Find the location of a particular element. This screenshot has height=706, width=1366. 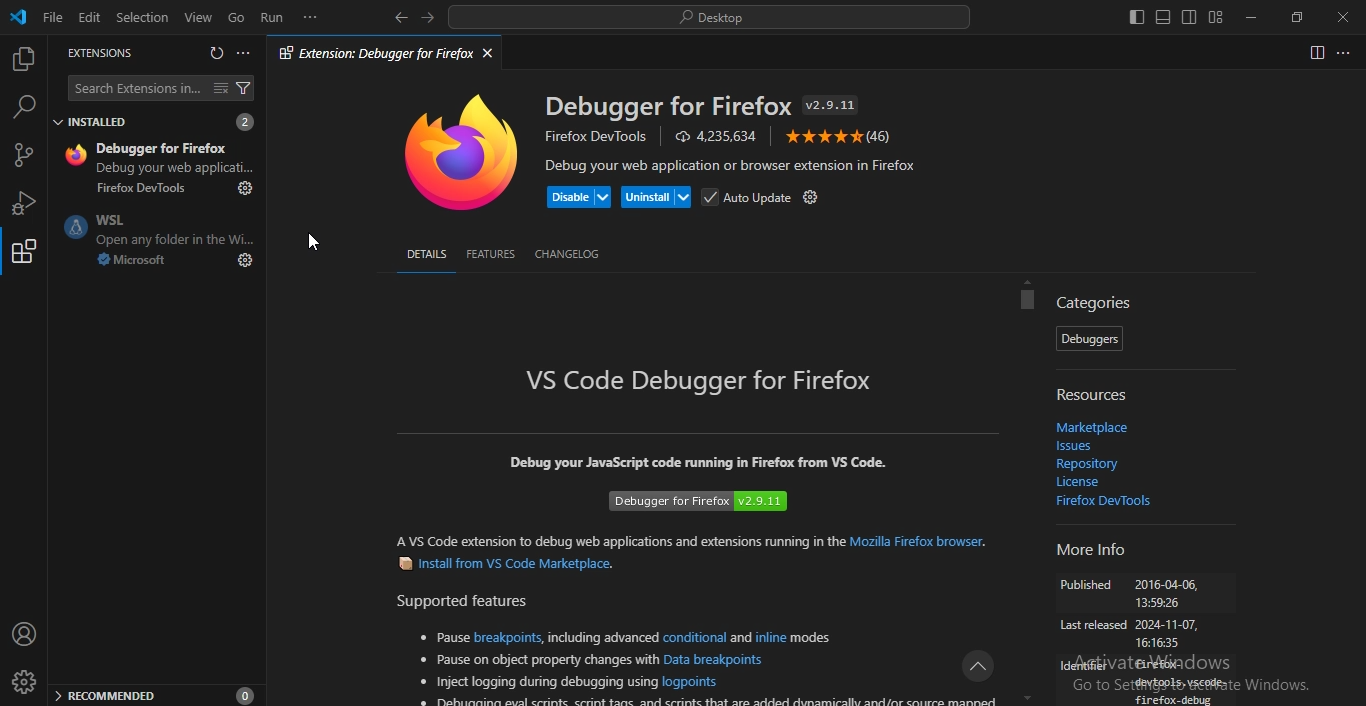

Data breakpoints is located at coordinates (718, 661).